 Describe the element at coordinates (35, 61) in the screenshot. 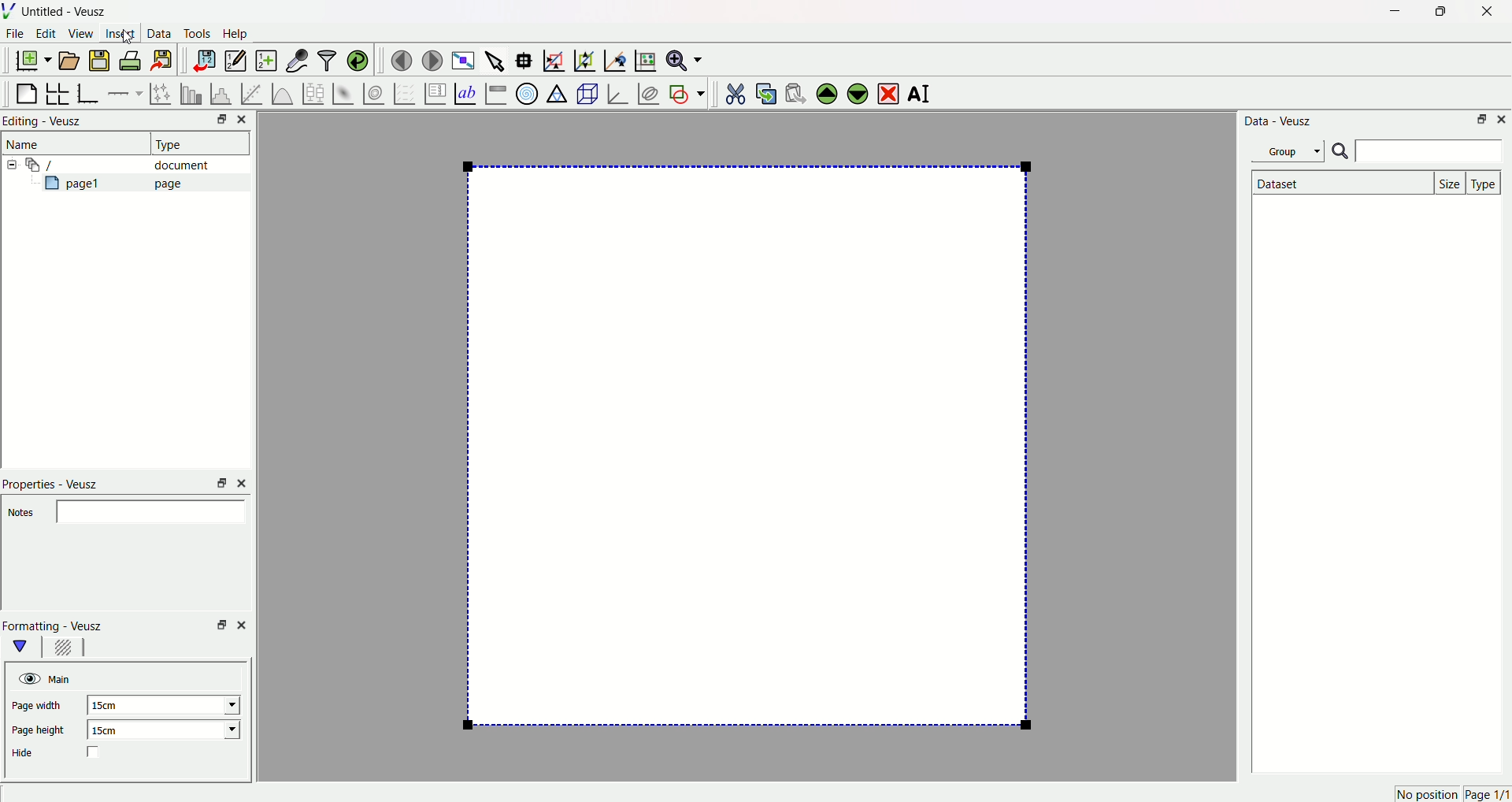

I see `new document` at that location.